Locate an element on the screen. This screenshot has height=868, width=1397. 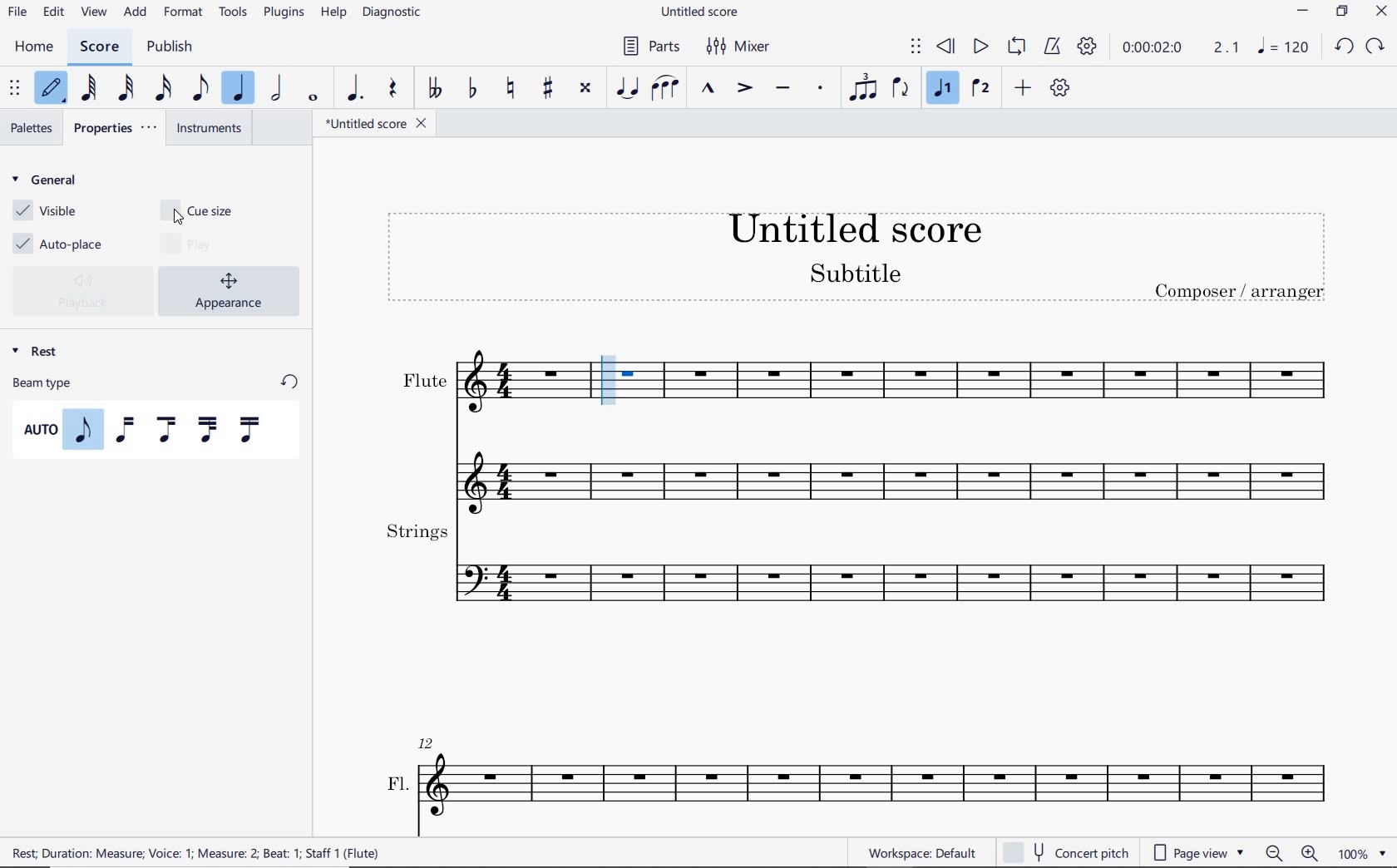
zoom factor is located at coordinates (1360, 852).